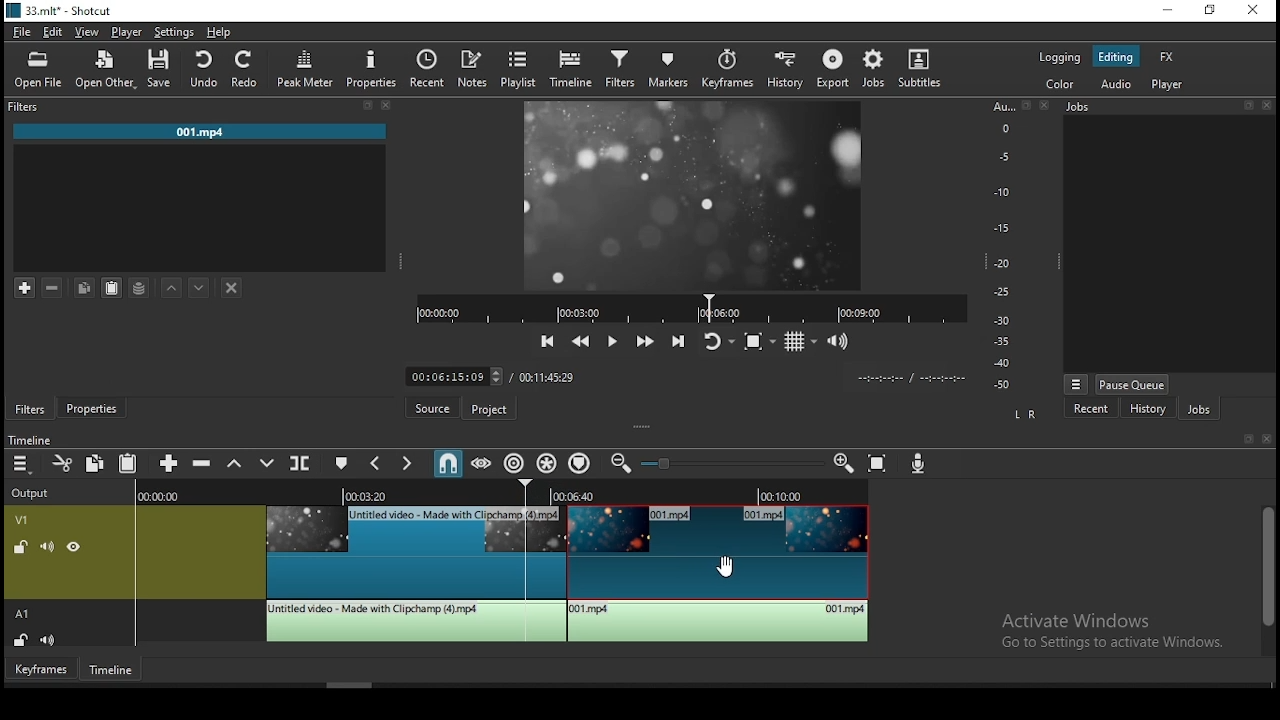  Describe the element at coordinates (304, 68) in the screenshot. I see `peak meter` at that location.